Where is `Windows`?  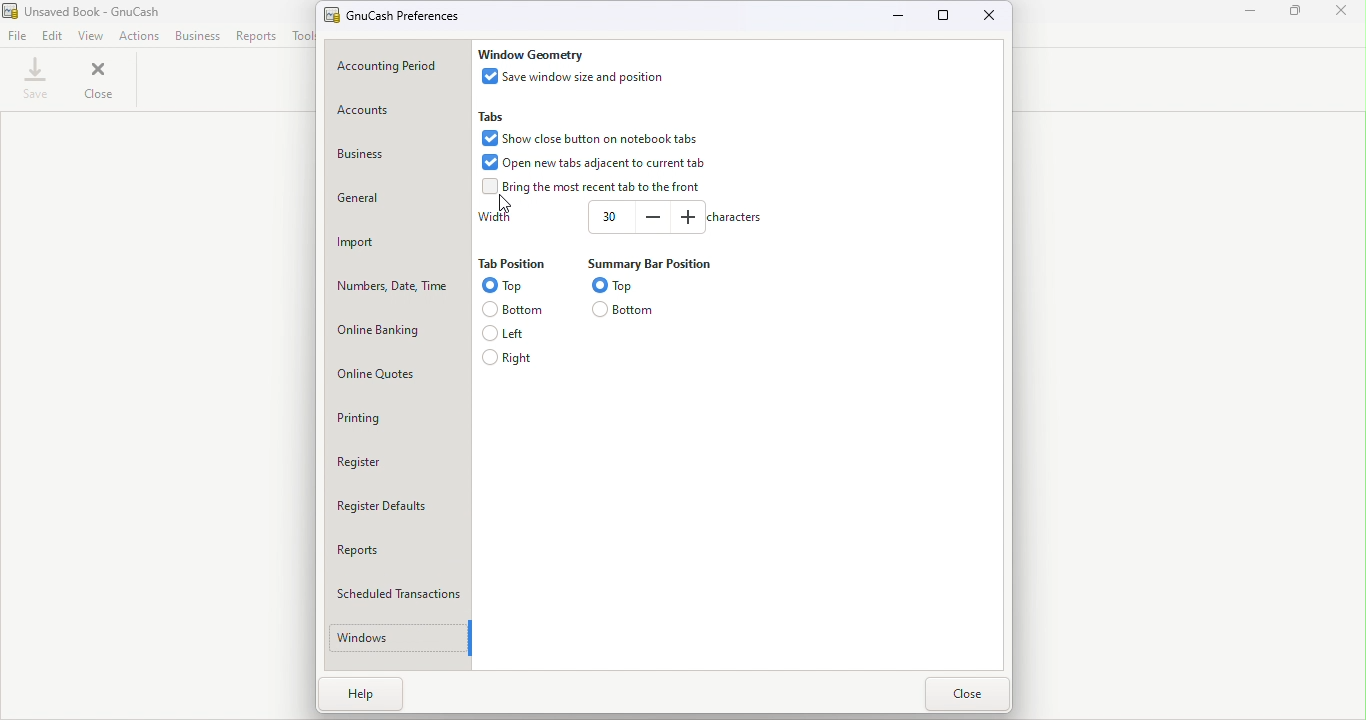 Windows is located at coordinates (393, 638).